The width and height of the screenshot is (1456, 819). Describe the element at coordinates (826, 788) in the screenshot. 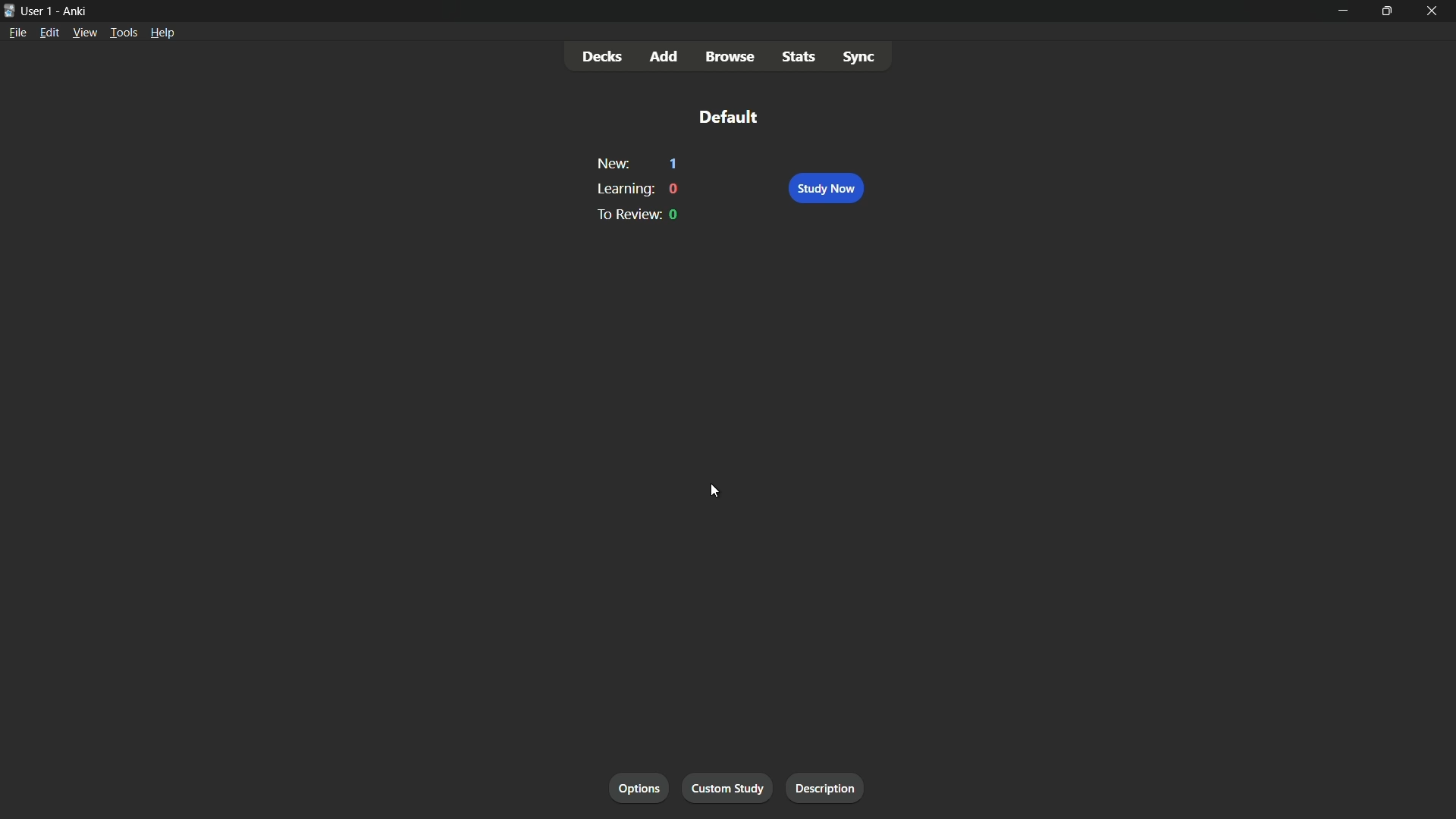

I see `description` at that location.